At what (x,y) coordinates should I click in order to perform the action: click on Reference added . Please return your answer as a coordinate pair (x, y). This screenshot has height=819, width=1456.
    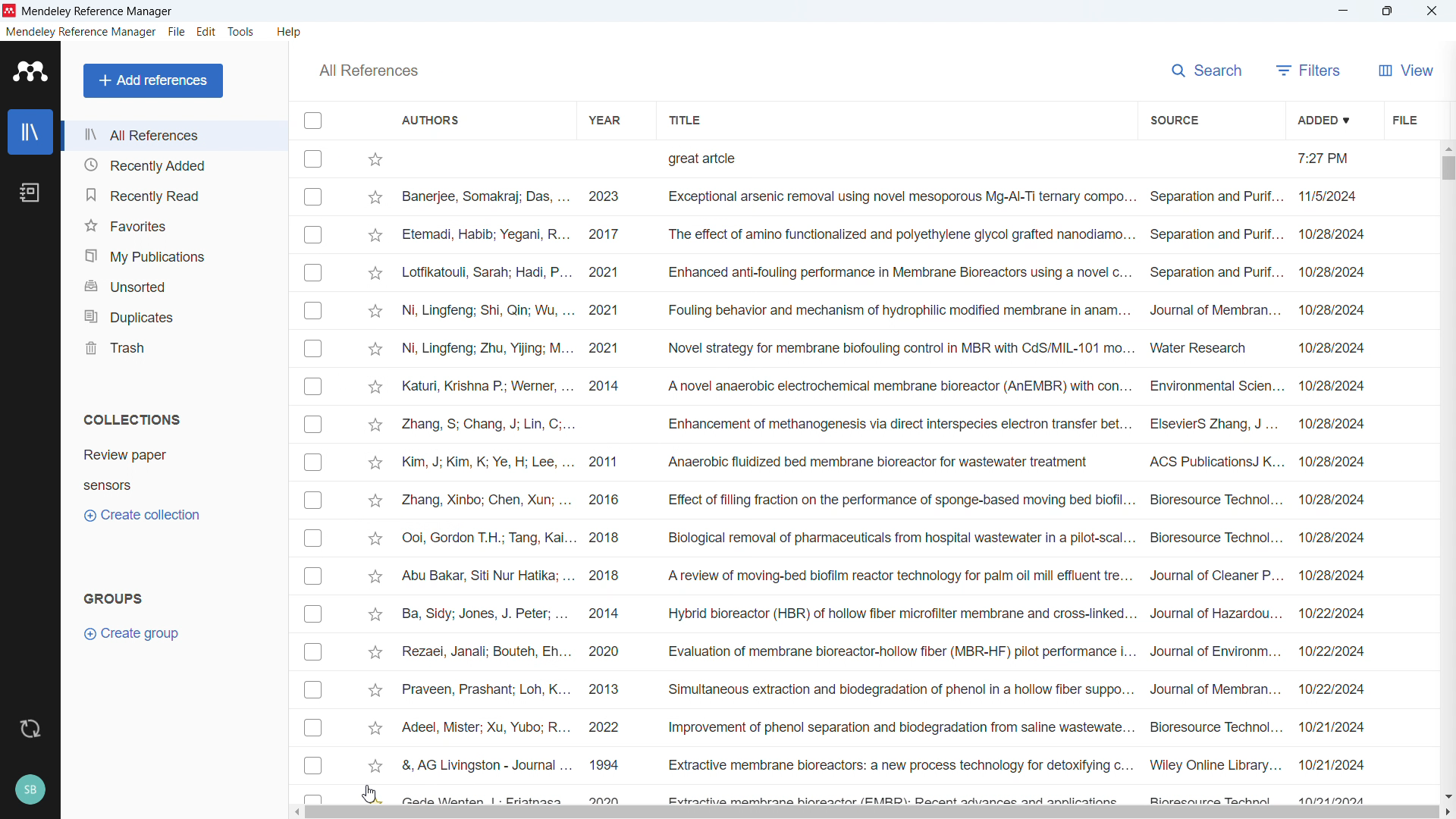
    Looking at the image, I should click on (862, 159).